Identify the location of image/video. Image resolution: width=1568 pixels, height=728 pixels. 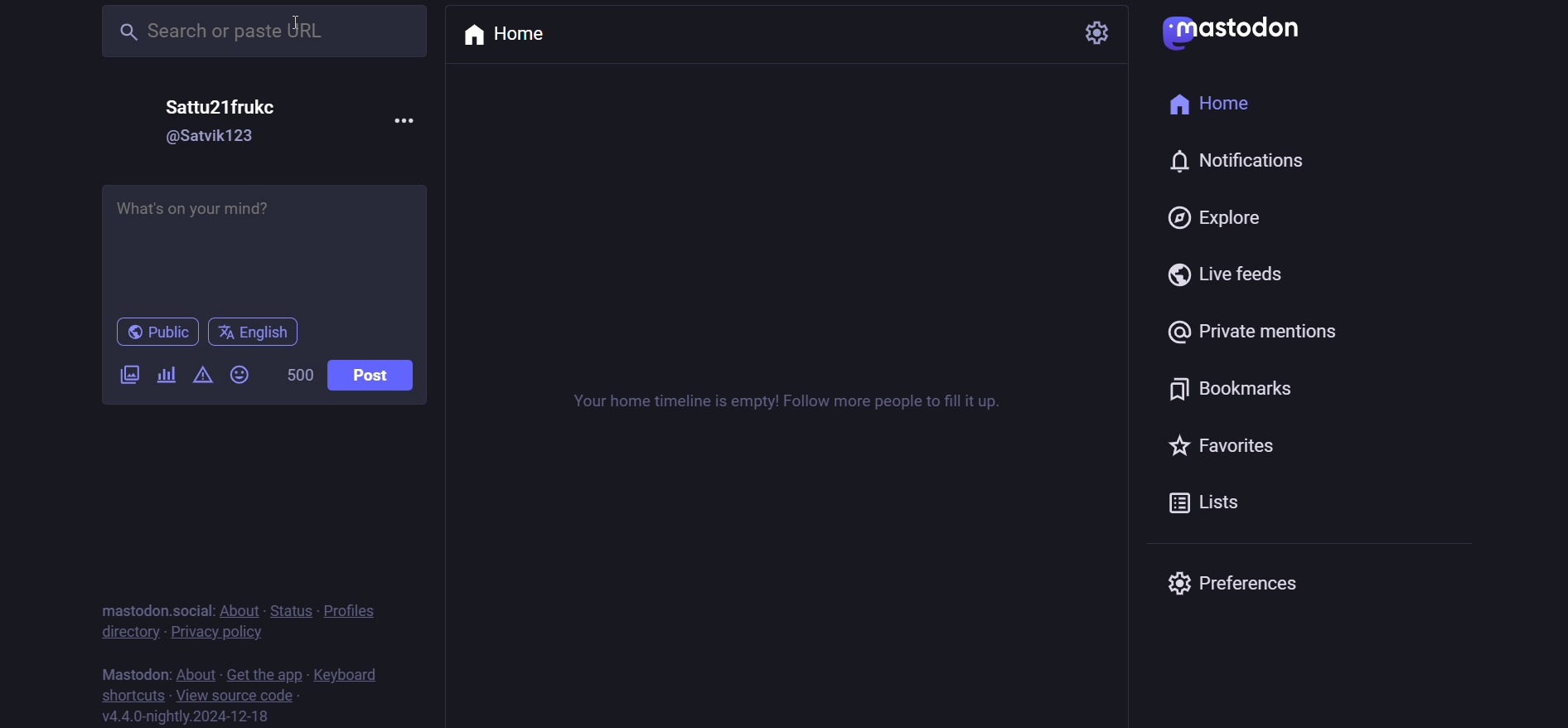
(126, 375).